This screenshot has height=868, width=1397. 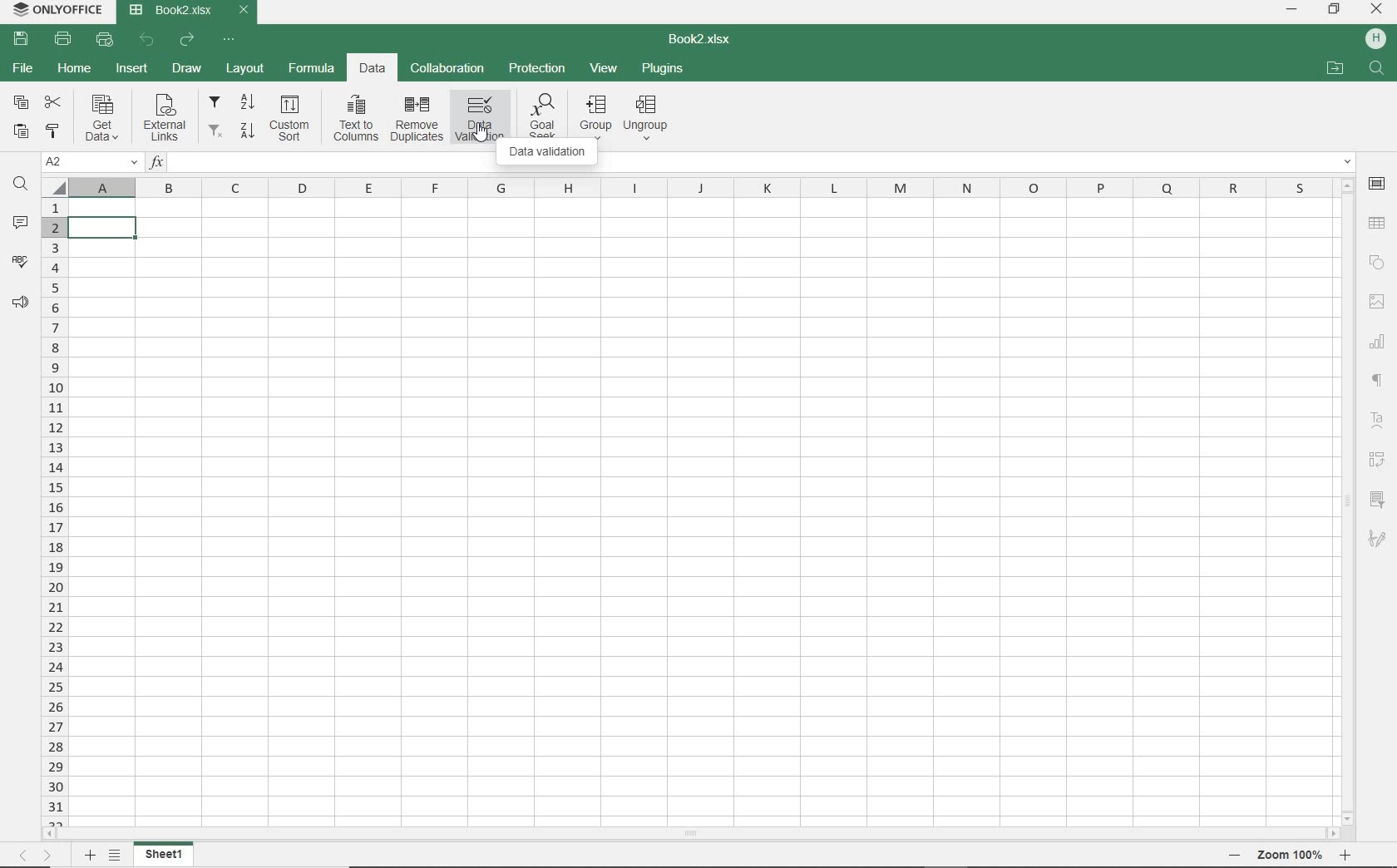 I want to click on sort ascending, so click(x=250, y=103).